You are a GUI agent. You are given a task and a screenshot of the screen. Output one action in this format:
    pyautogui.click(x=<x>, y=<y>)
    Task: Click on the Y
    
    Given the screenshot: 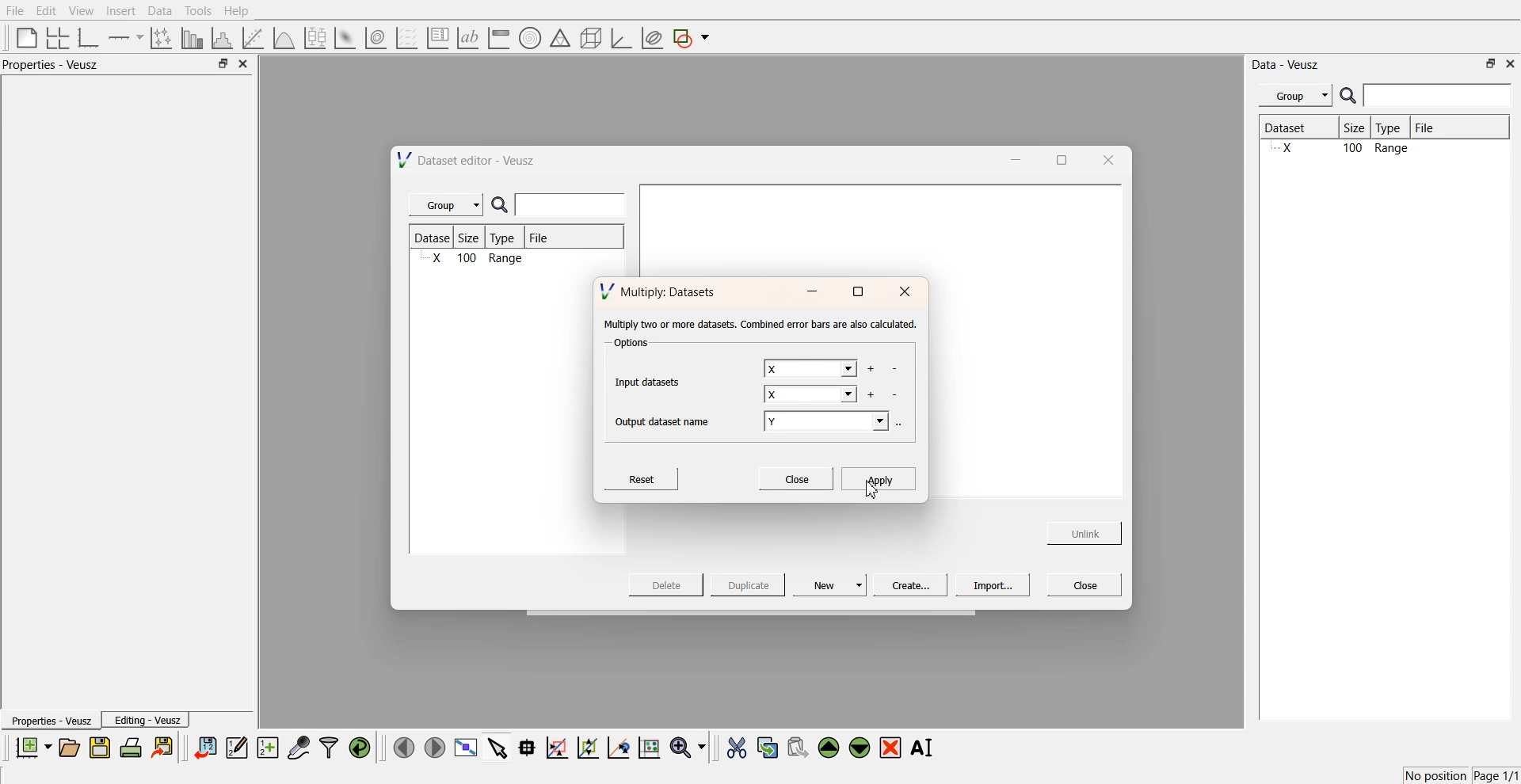 What is the action you would take?
    pyautogui.click(x=829, y=423)
    